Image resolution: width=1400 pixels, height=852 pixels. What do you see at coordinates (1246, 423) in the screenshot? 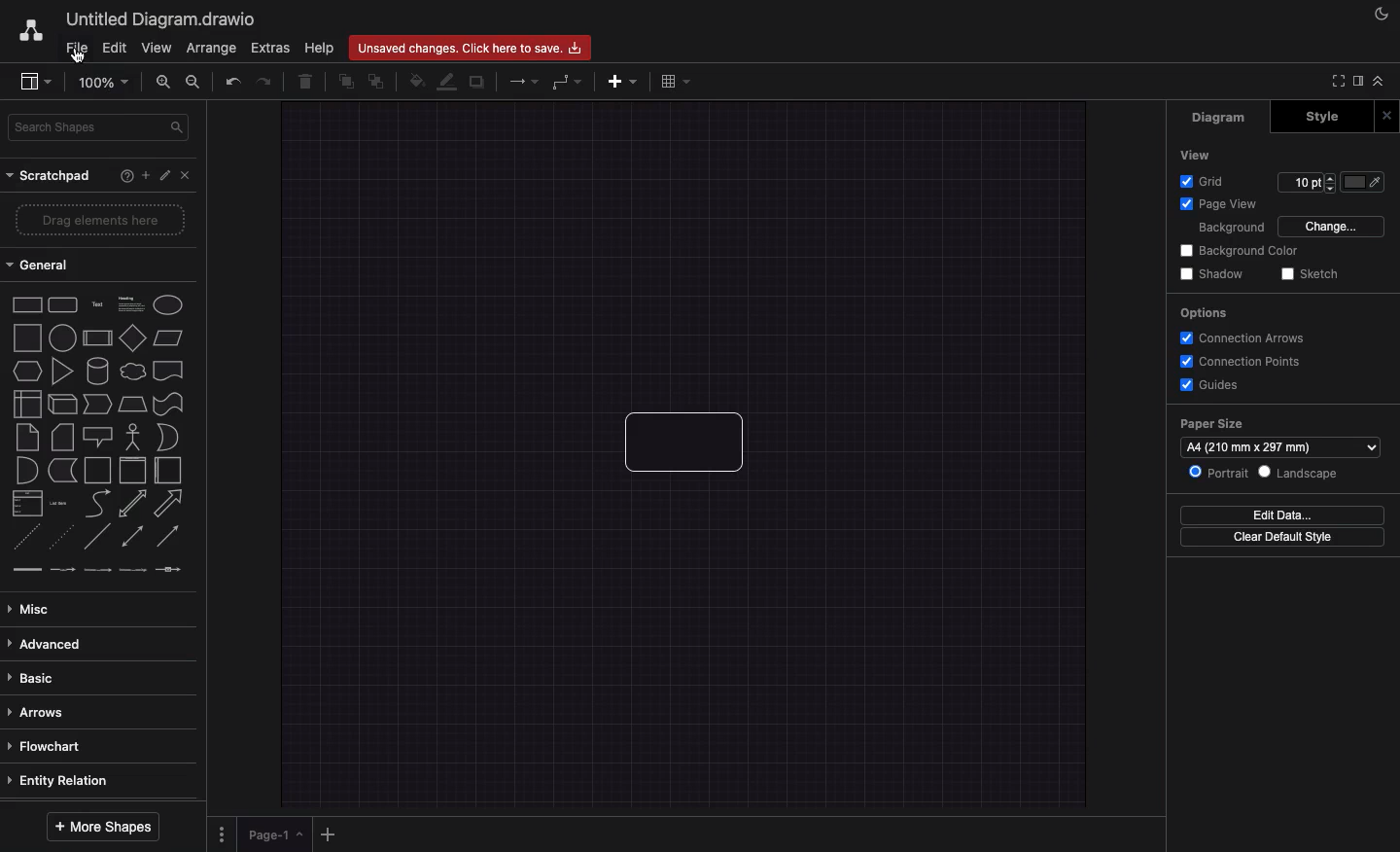
I see `Paper size` at bounding box center [1246, 423].